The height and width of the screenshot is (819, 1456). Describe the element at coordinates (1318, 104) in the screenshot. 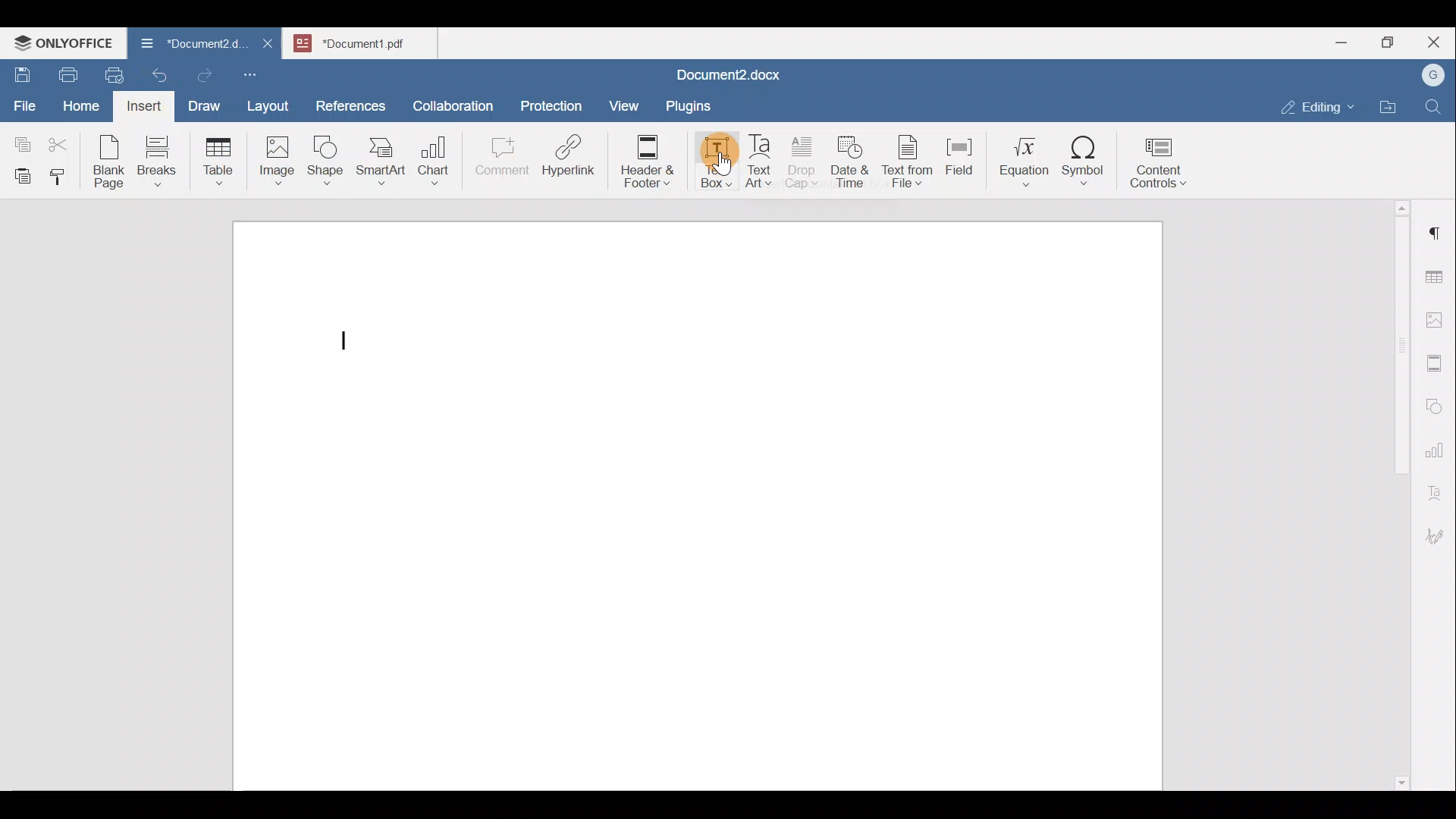

I see `Editing mode` at that location.